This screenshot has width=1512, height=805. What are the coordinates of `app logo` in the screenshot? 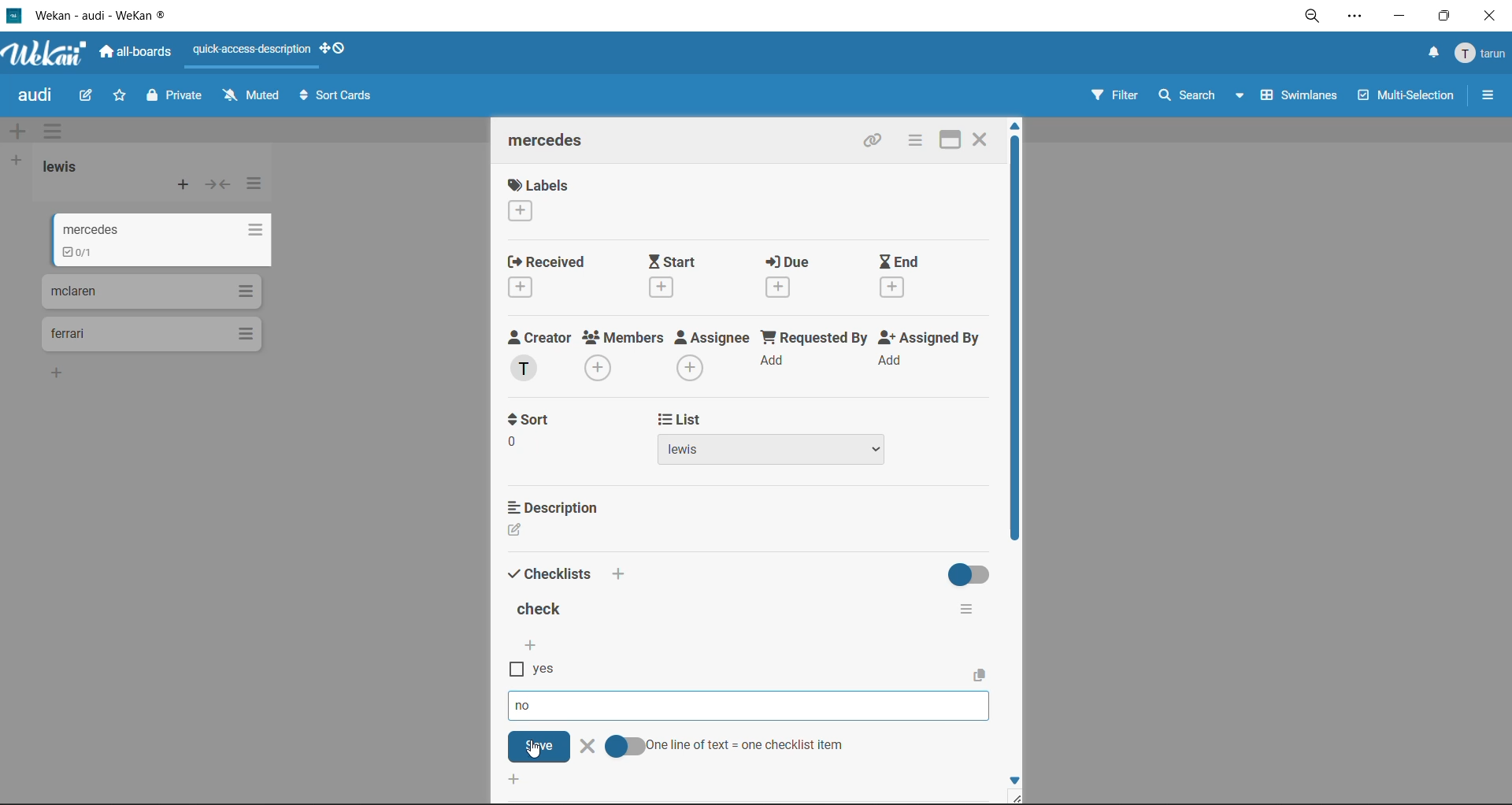 It's located at (46, 55).